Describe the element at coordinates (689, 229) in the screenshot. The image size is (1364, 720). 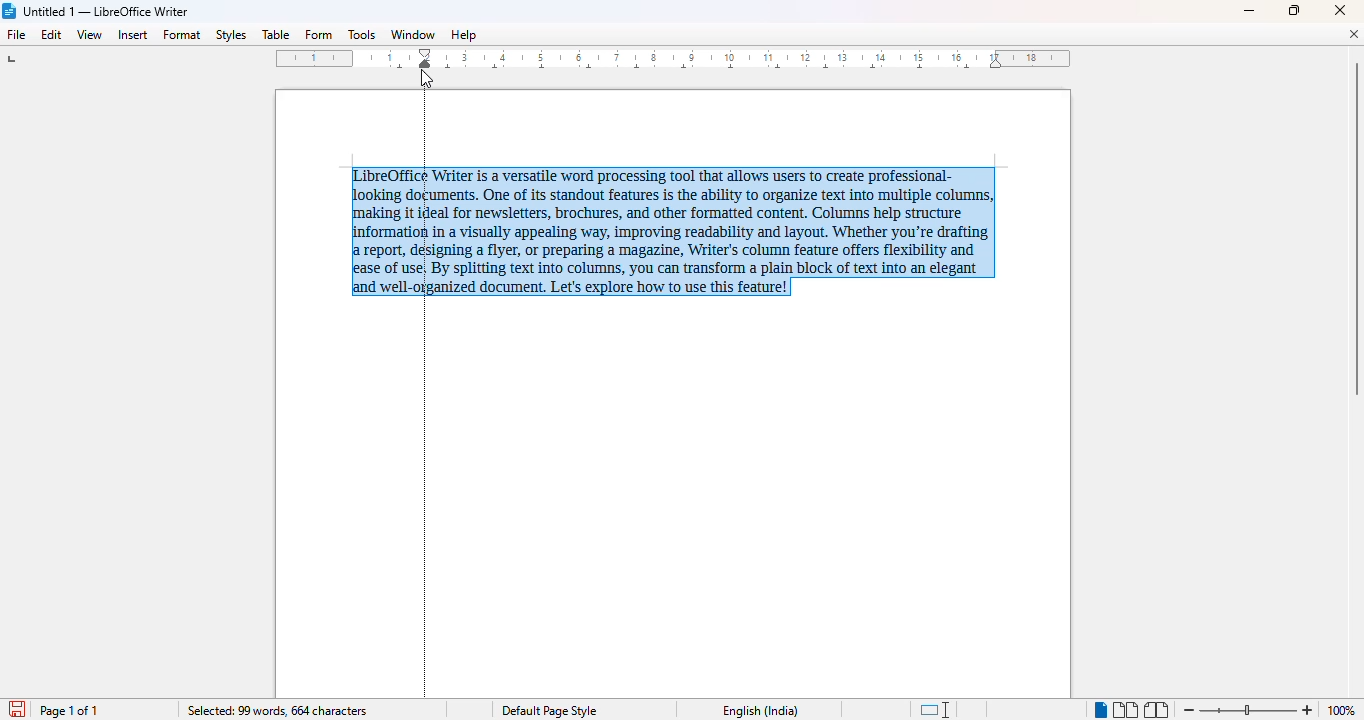
I see `LibreOffice Writer is a versatile word processing tool that allows users to create professional-looking documents. One of its standout features is the ability to organize text into multiple columns, making it ideal for newsletters, brochures, and other formatted content. Columns help structure information in a visually appealing way, improving readability and layout. Whether you're drafting a report, designing a flyer, or preparing a magazine, Writer's column feature offers flexibility and ease of use. By splitting text into columns, you can transform a plain block of text into an elegant and well-organized document. Let's explore how to use this feature! (selected)` at that location.